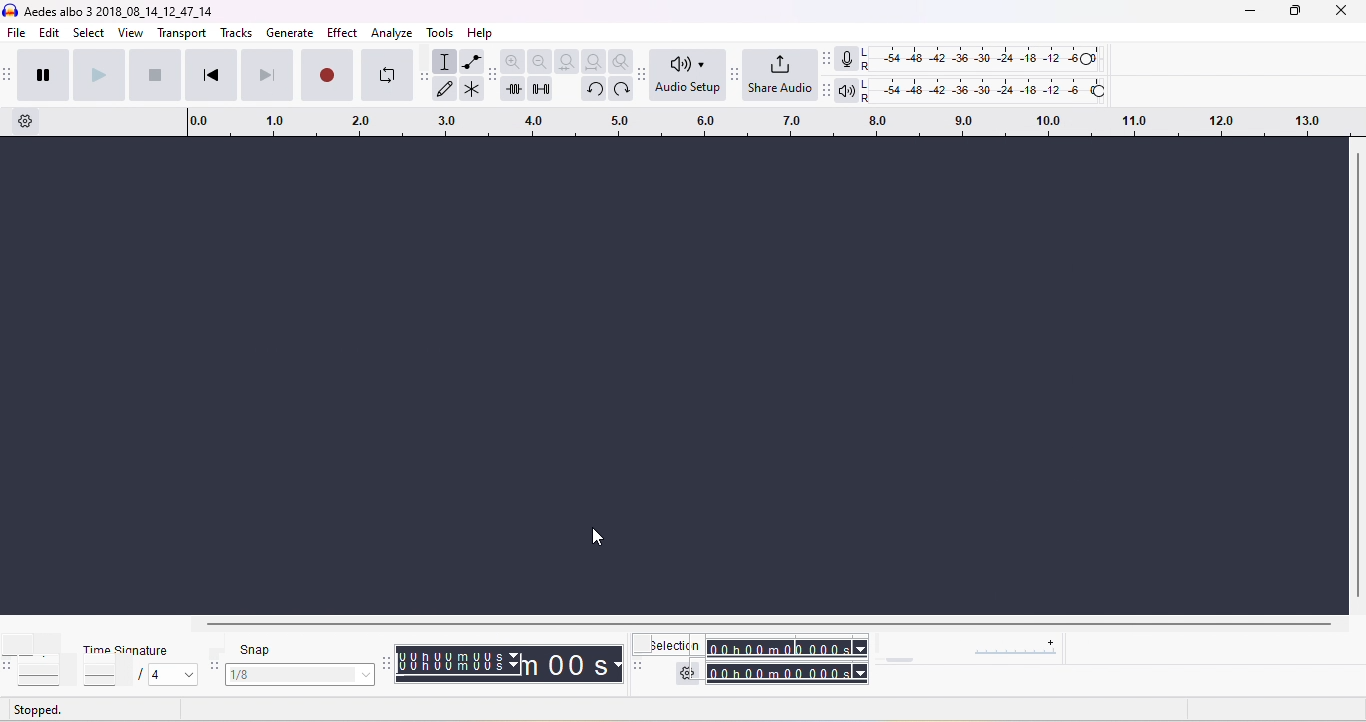 The height and width of the screenshot is (722, 1366). I want to click on undo, so click(594, 89).